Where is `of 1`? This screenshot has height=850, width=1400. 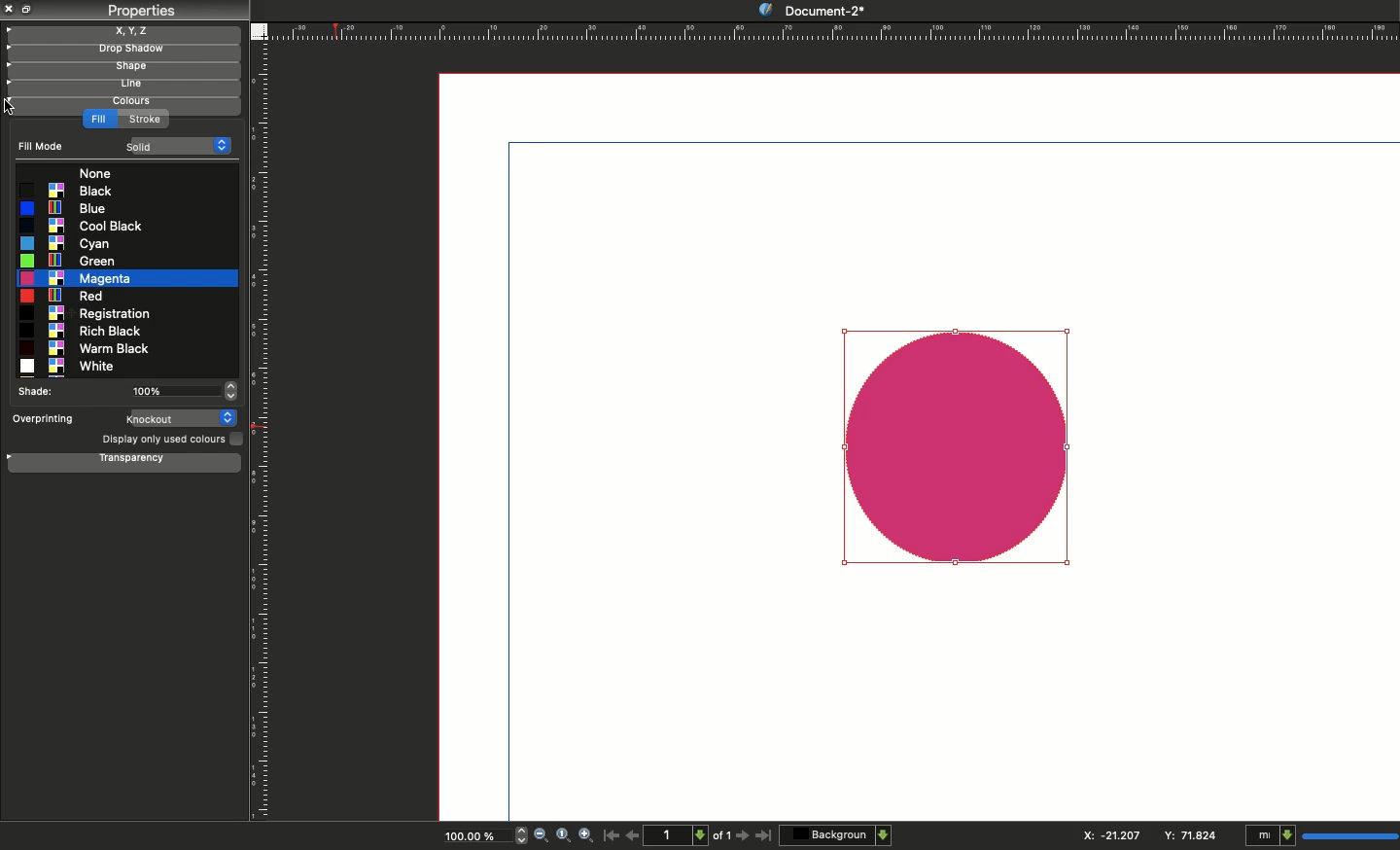 of 1 is located at coordinates (722, 838).